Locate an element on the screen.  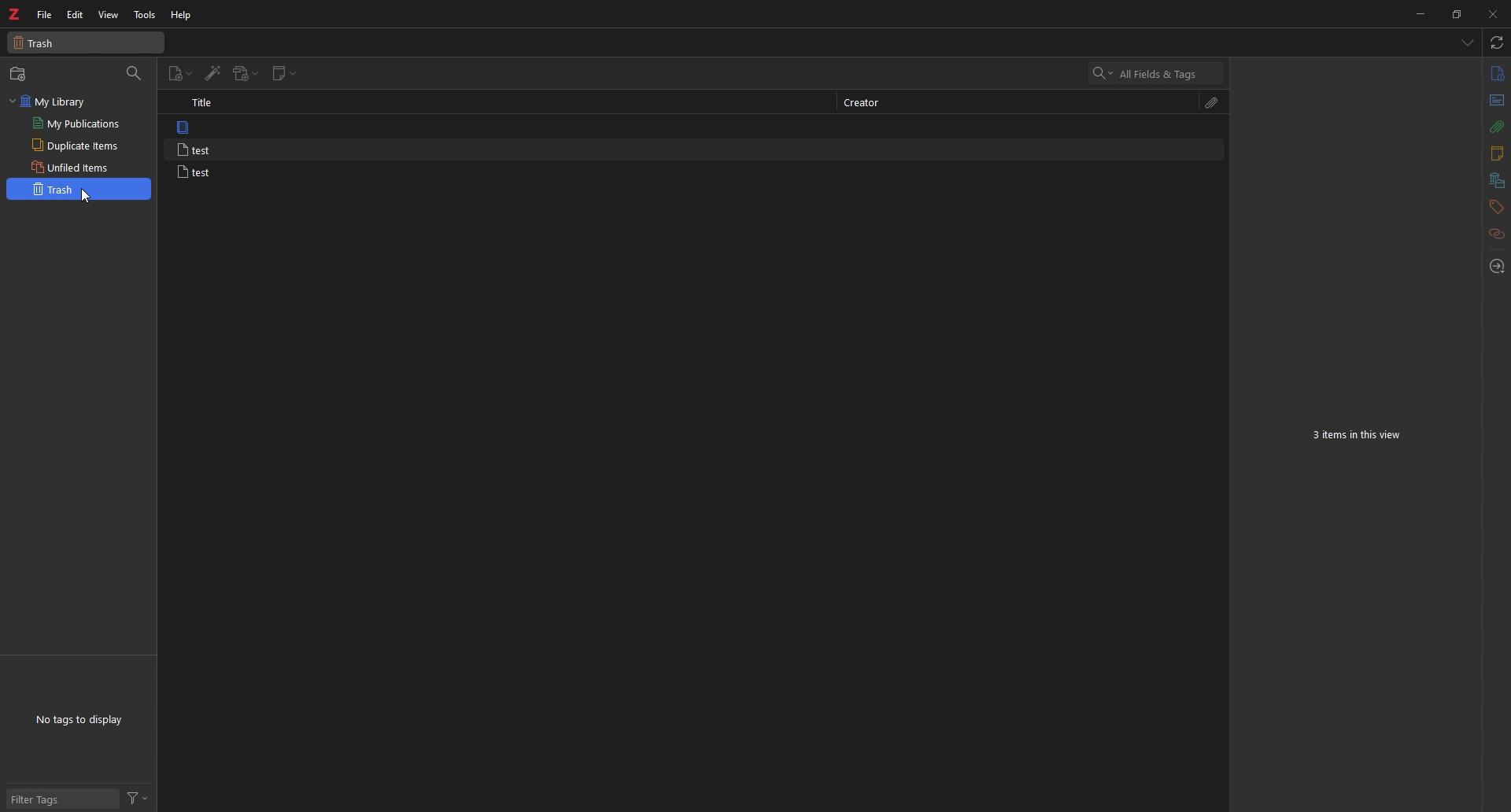
tools is located at coordinates (143, 15).